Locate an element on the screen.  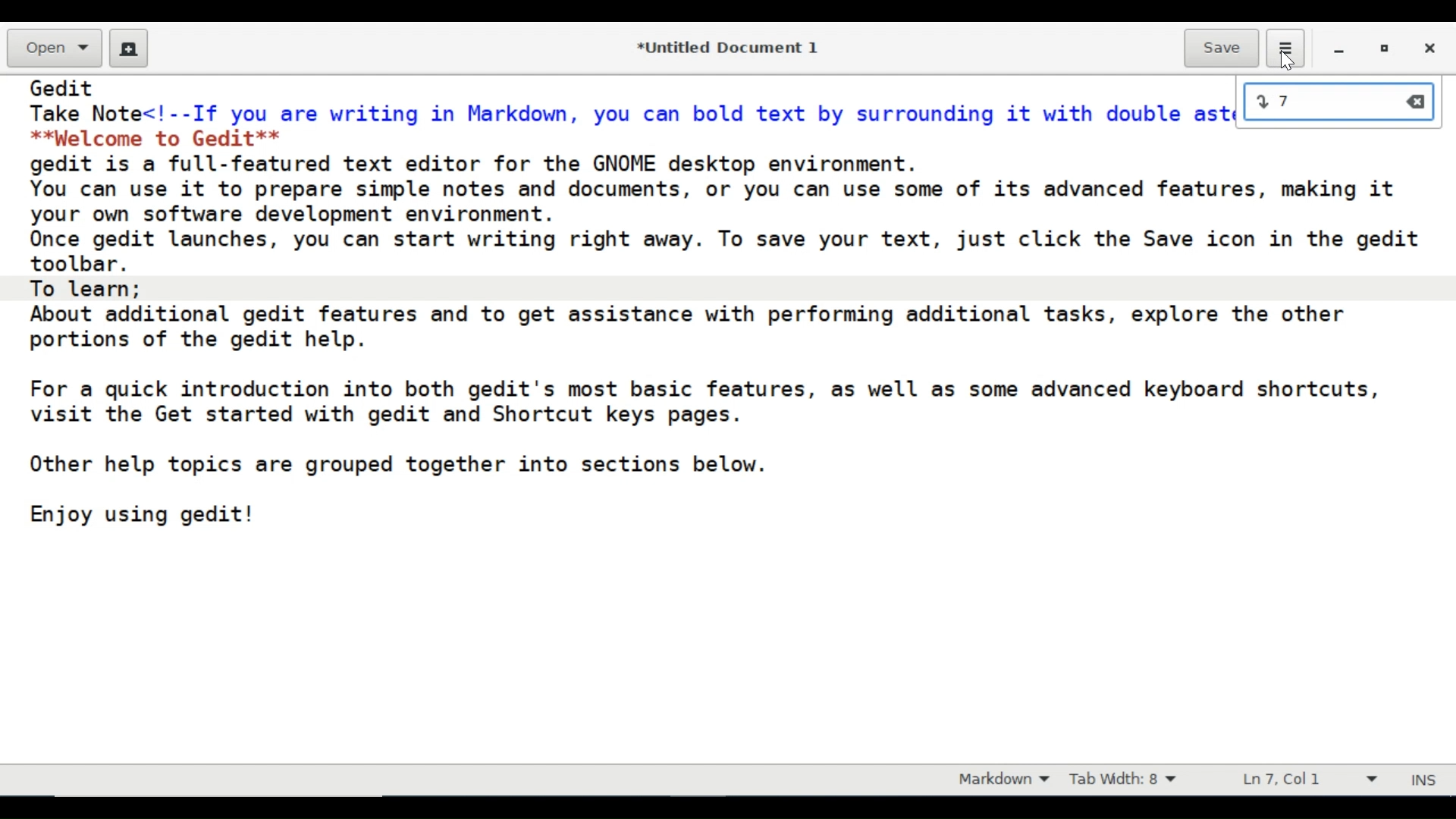
INS is located at coordinates (1426, 781).